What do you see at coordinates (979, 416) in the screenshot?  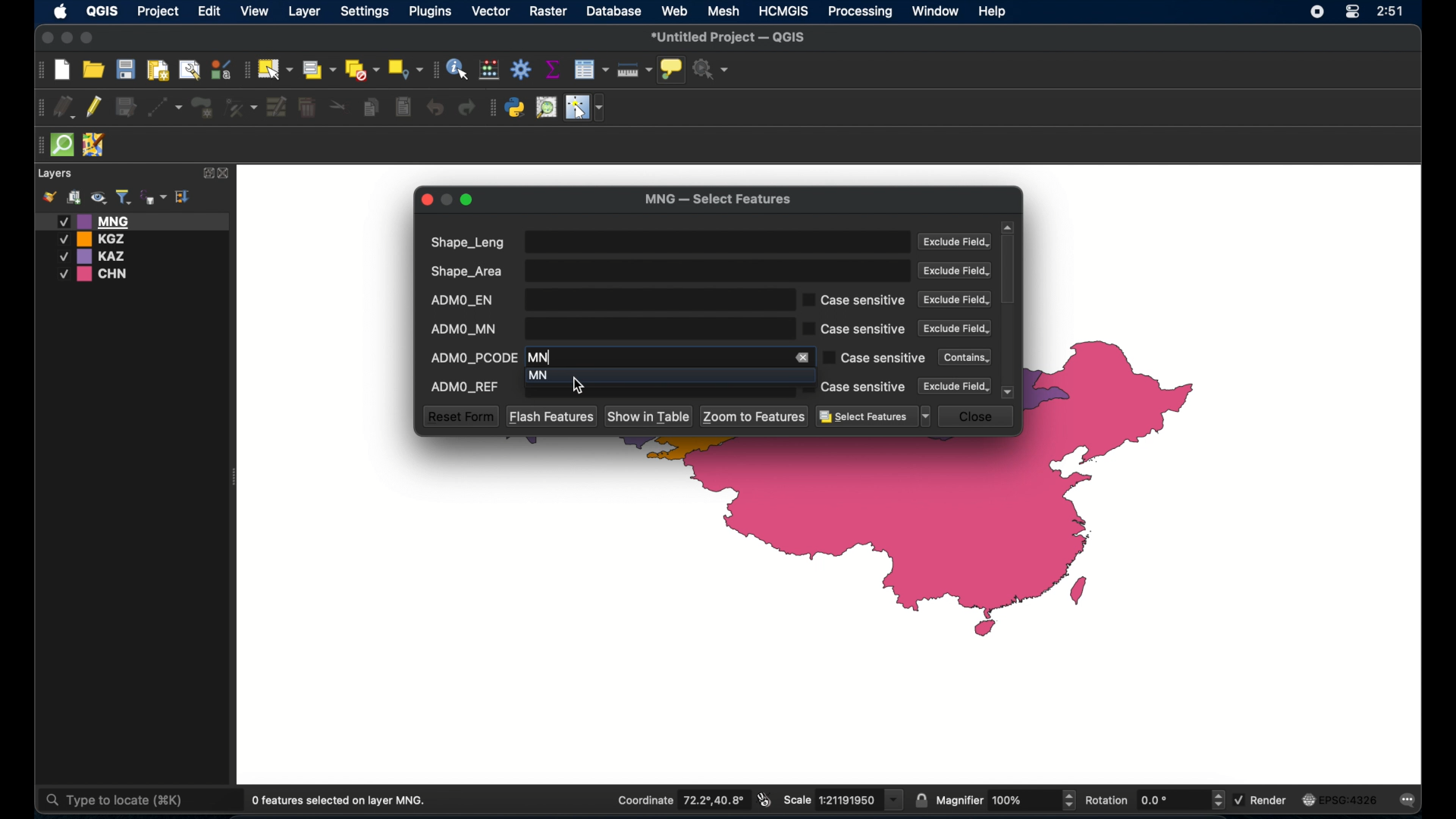 I see `close` at bounding box center [979, 416].